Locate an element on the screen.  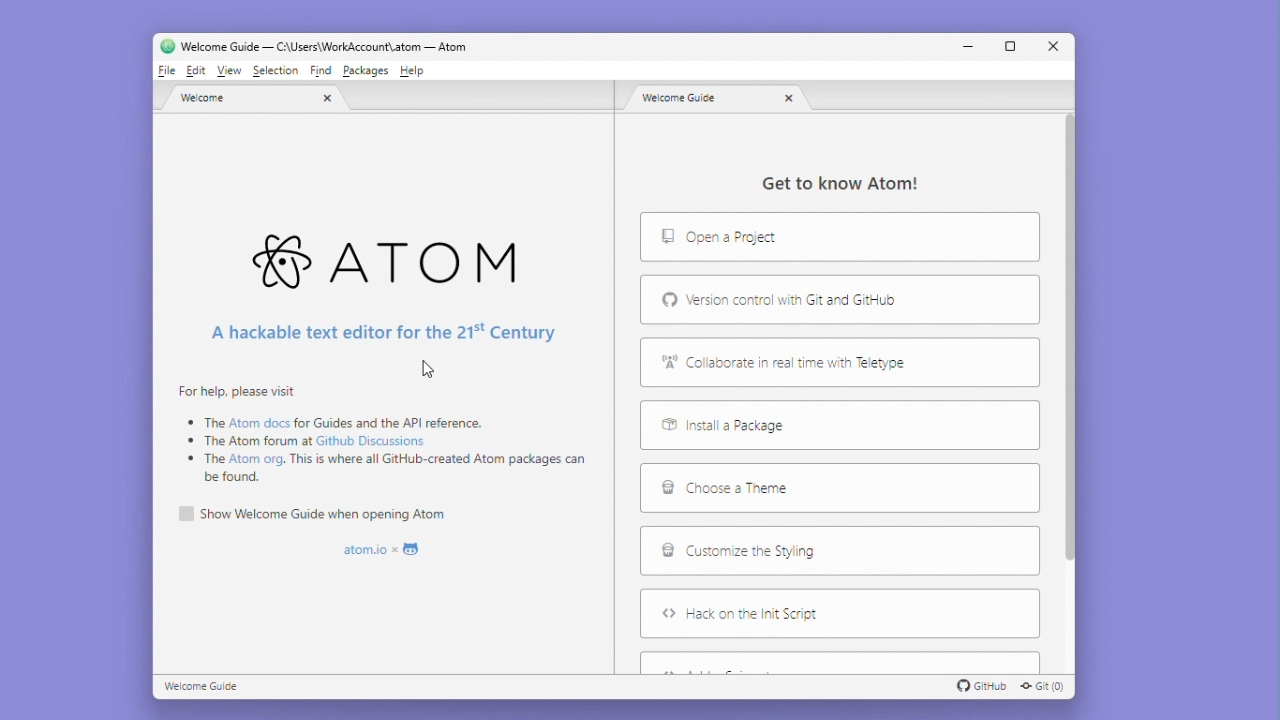
Atom.io is located at coordinates (383, 547).